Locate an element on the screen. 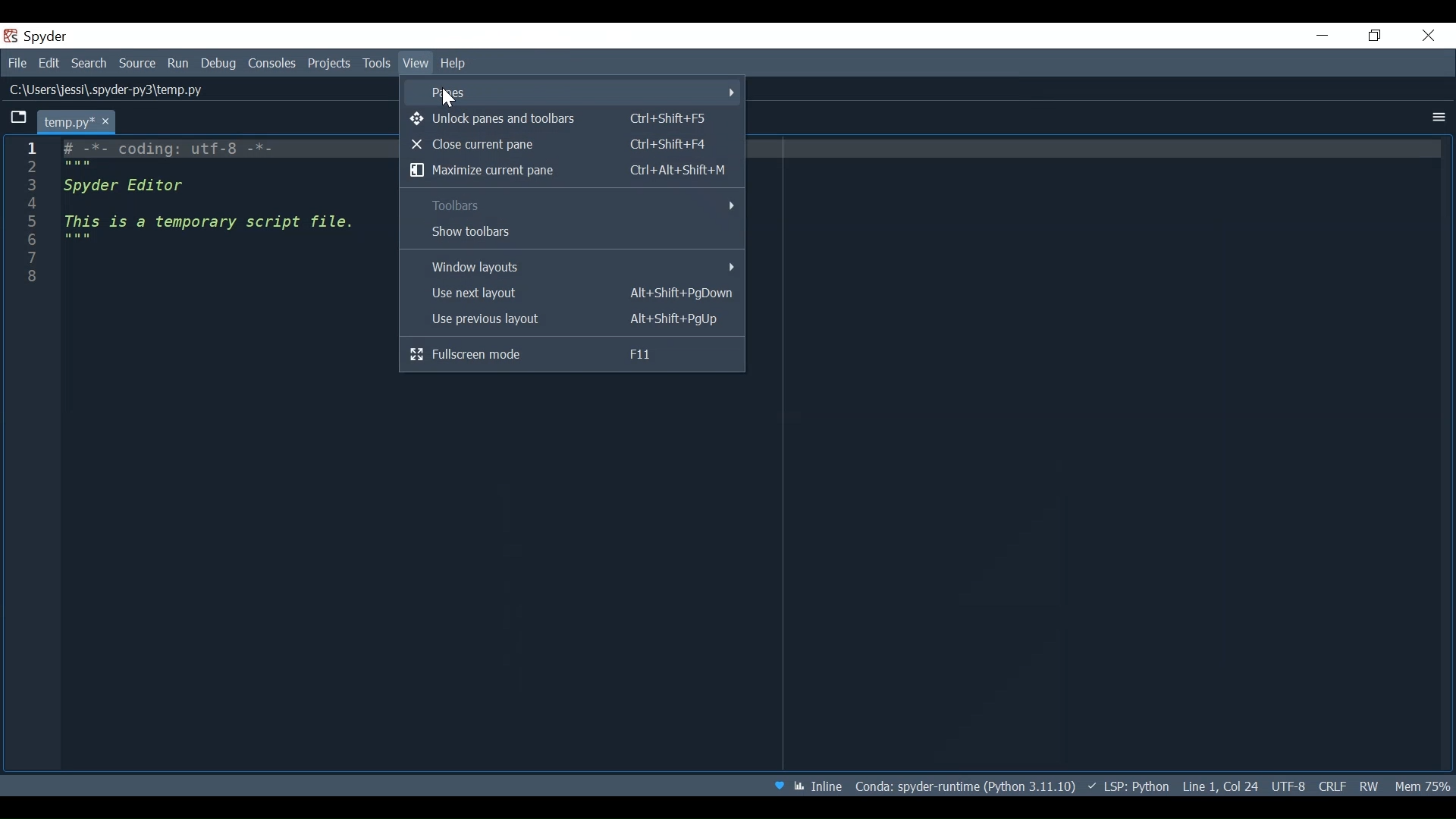  Windows layouts is located at coordinates (573, 266).